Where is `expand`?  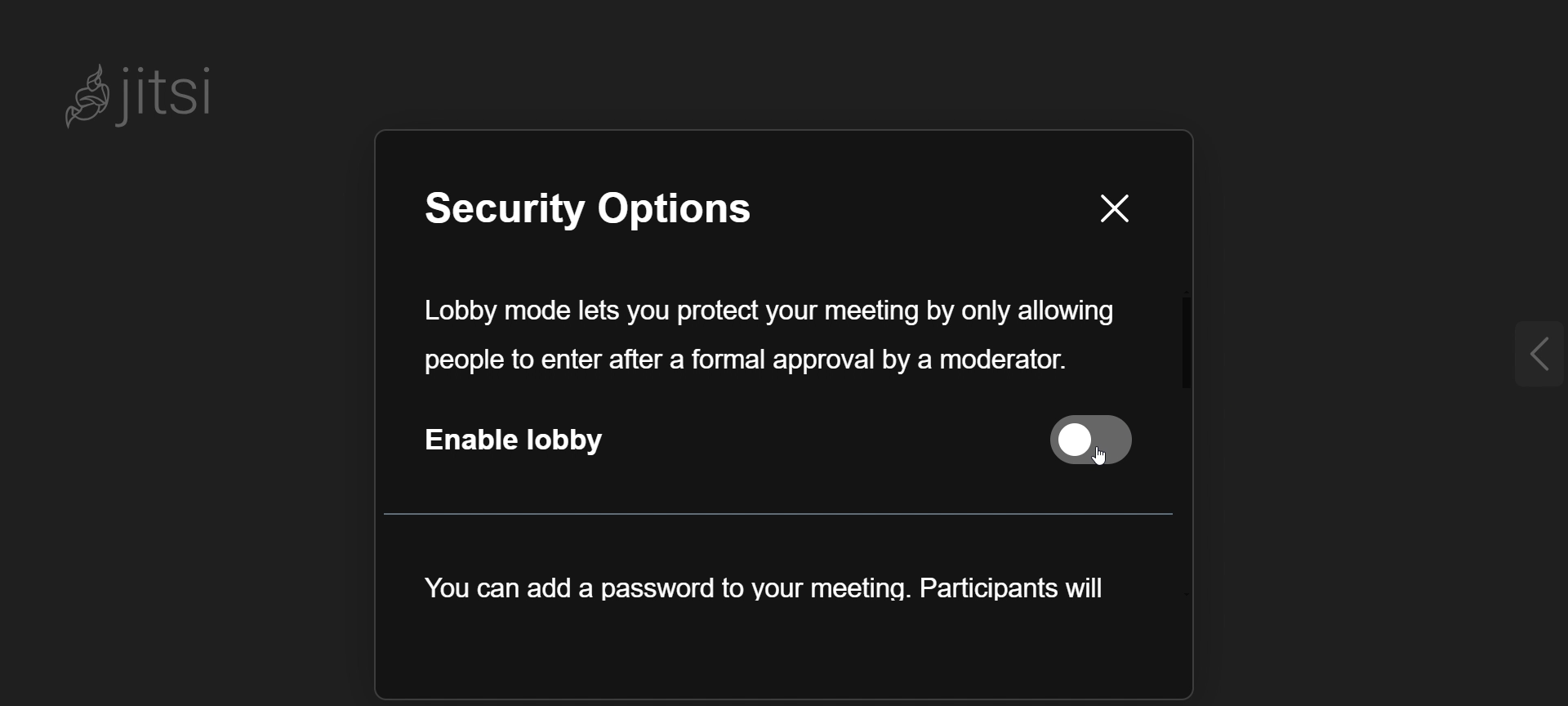
expand is located at coordinates (1523, 354).